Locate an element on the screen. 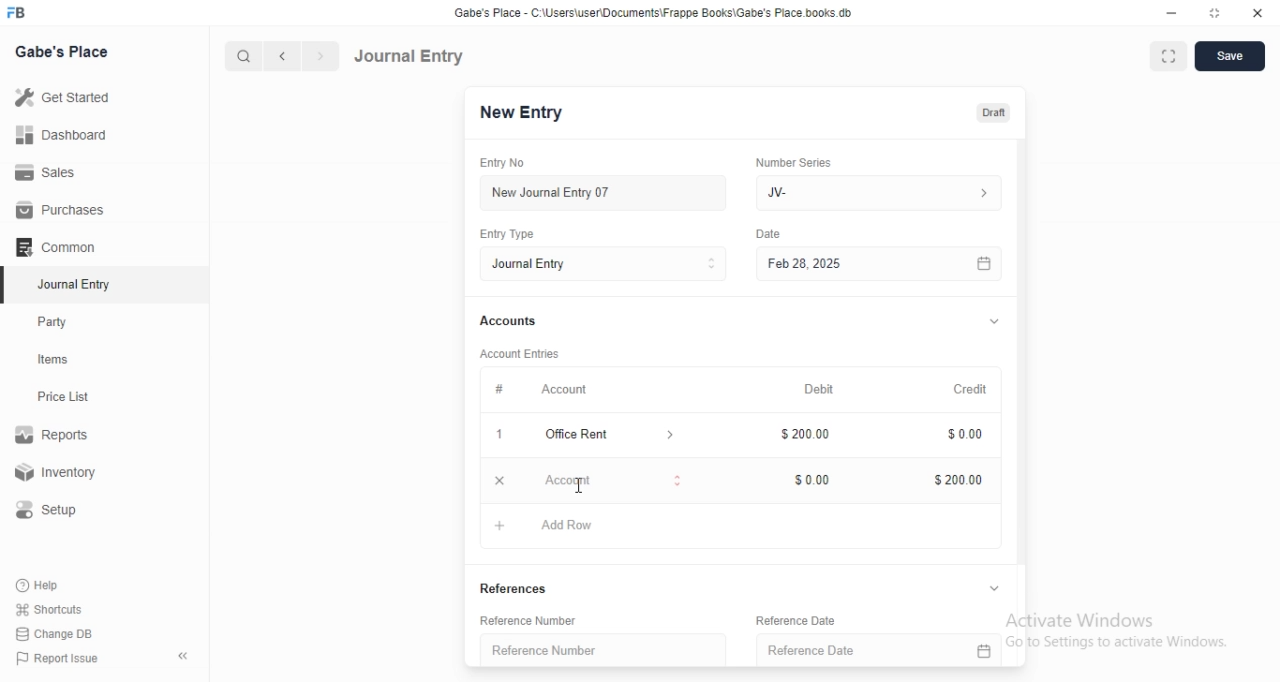 The width and height of the screenshot is (1280, 682). x Office Rent > is located at coordinates (588, 435).